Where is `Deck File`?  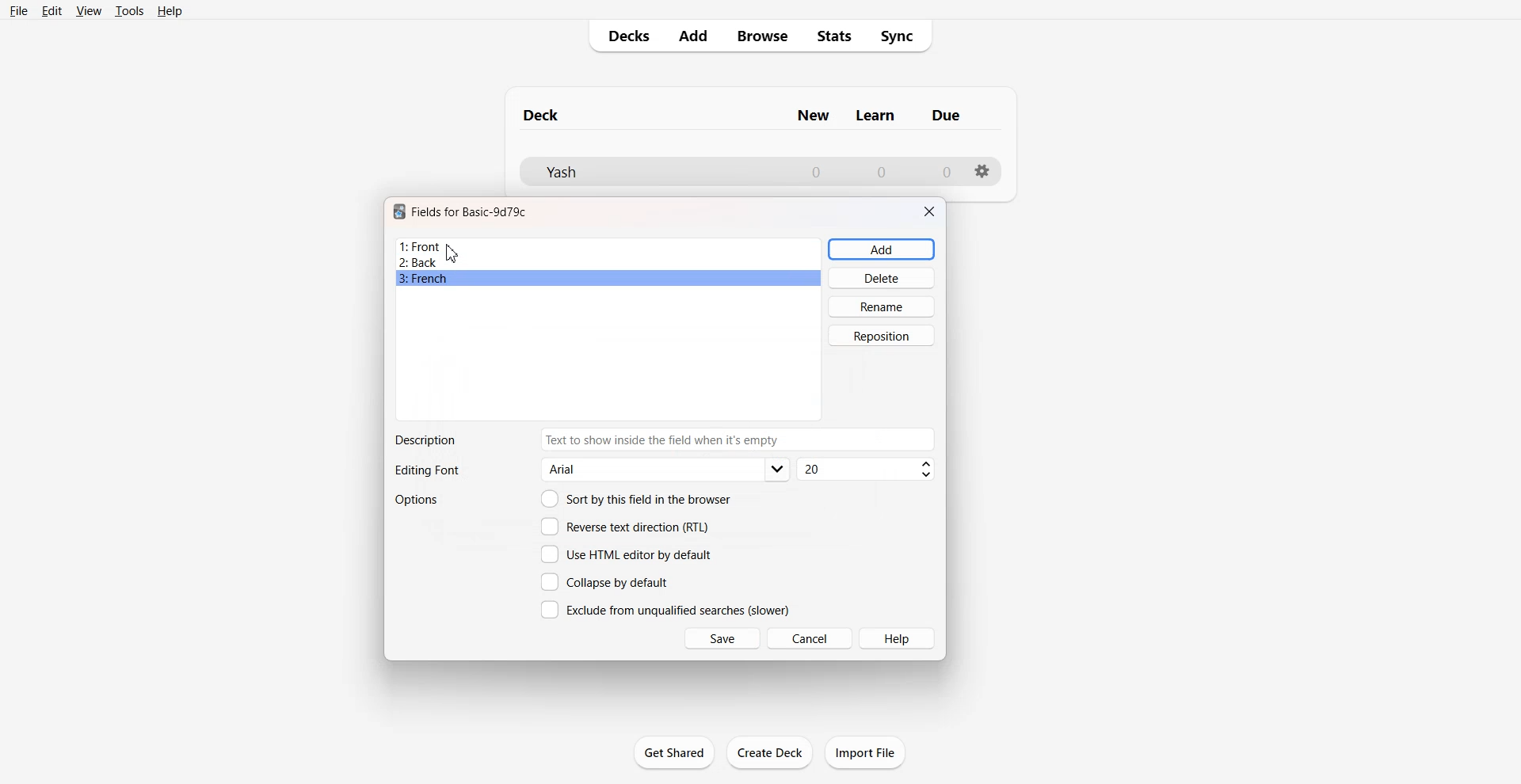 Deck File is located at coordinates (650, 172).